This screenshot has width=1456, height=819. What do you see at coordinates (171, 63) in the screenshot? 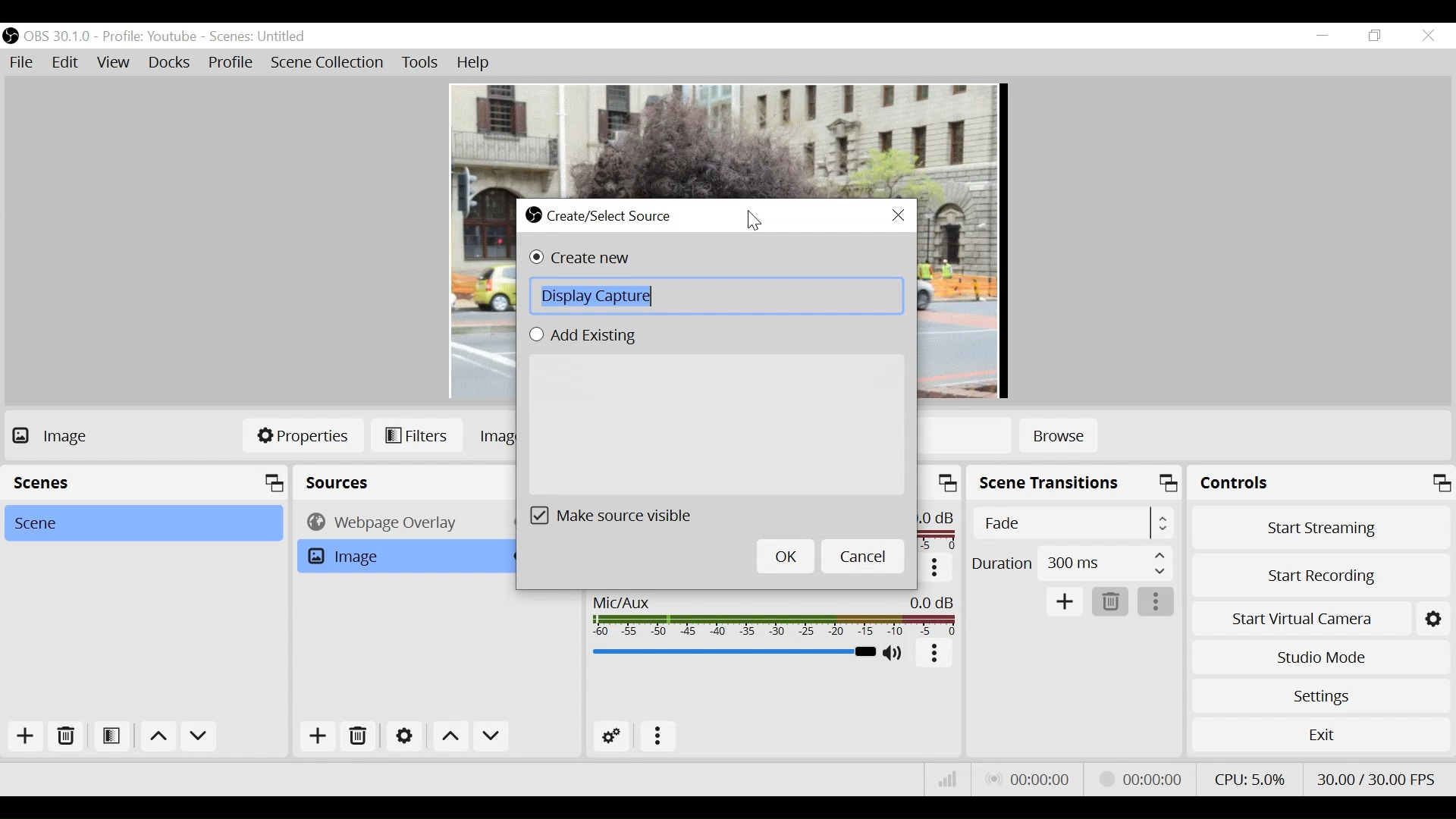
I see `Docks` at bounding box center [171, 63].